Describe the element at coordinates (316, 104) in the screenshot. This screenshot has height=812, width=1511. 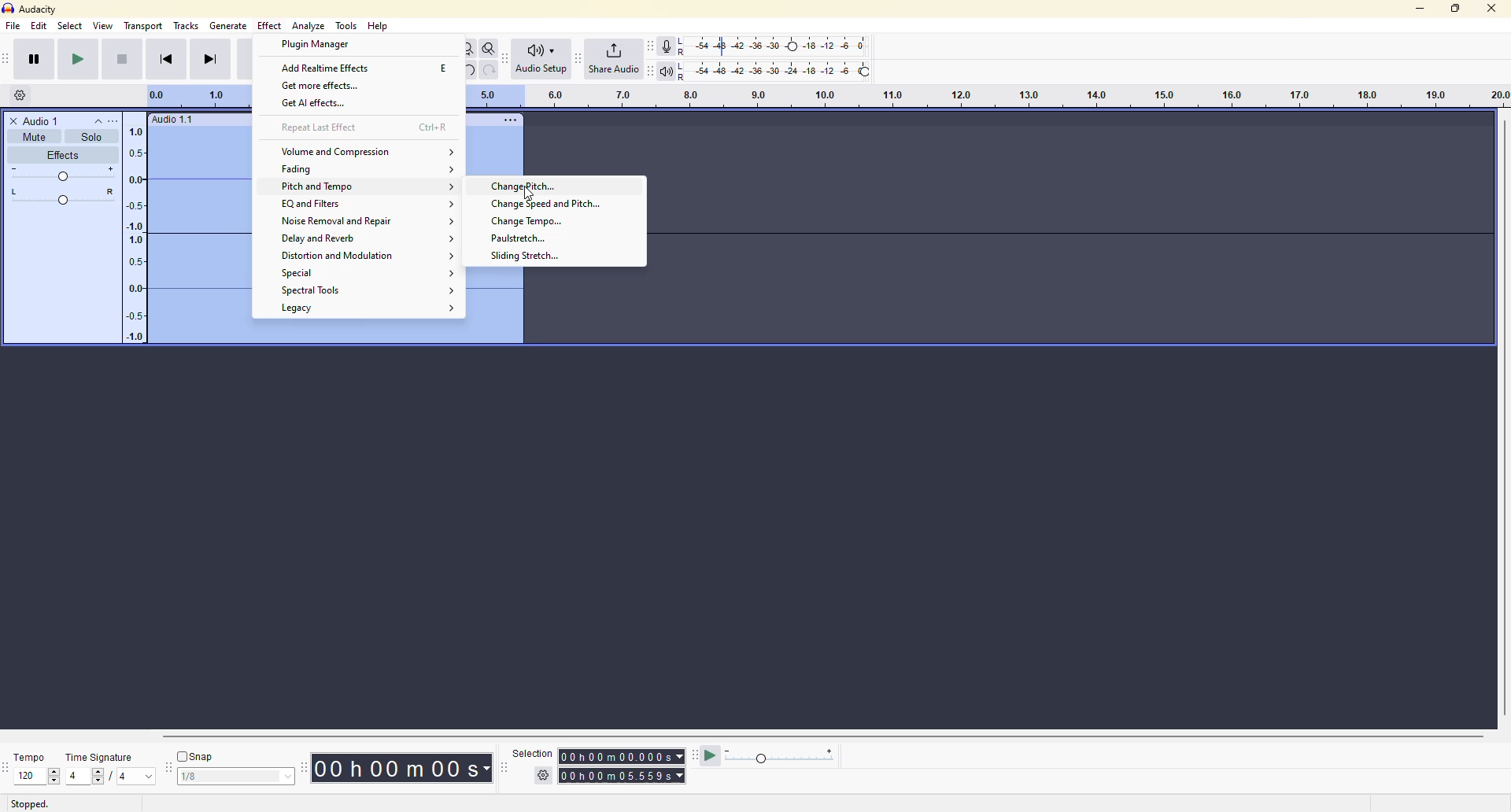
I see `get ai effects` at that location.